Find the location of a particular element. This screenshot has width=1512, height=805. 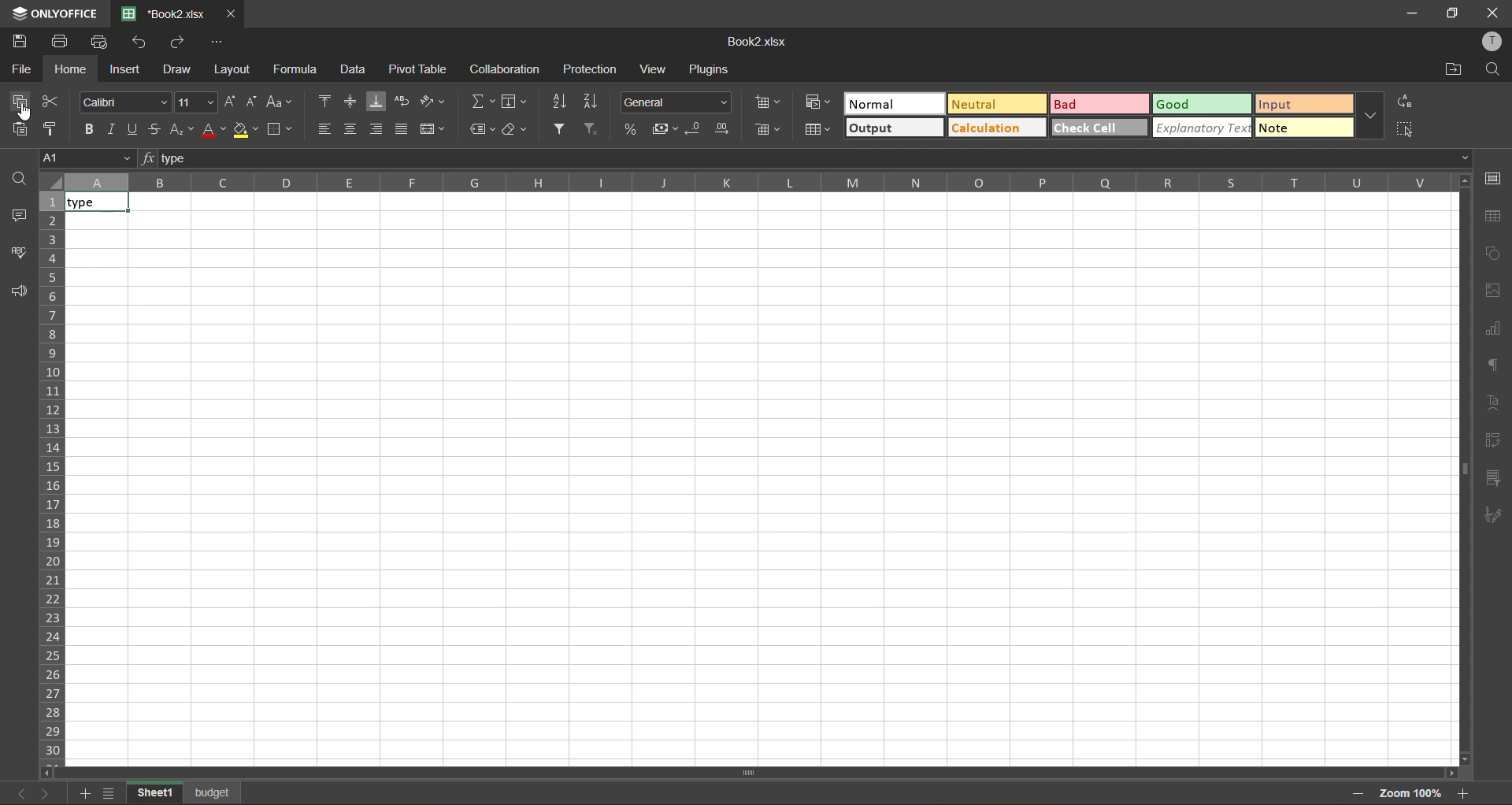

open location is located at coordinates (1450, 72).